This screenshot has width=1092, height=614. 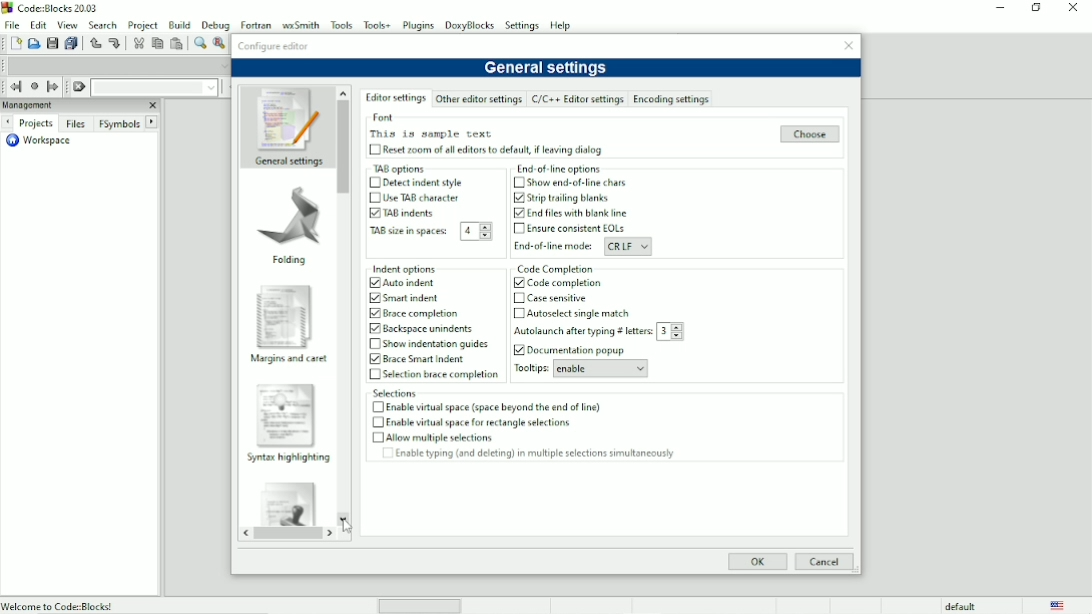 What do you see at coordinates (374, 150) in the screenshot?
I see `Chehckbox` at bounding box center [374, 150].